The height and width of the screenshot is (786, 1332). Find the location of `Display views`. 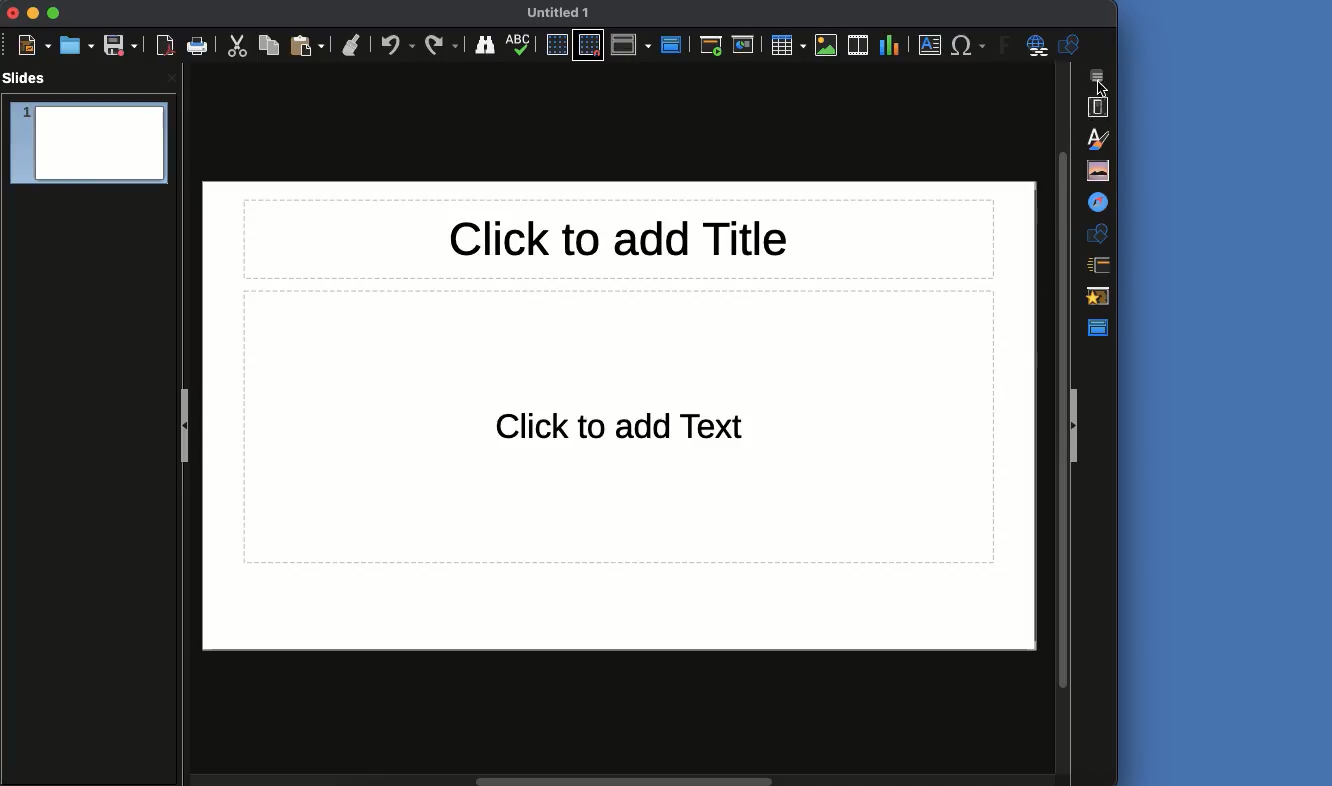

Display views is located at coordinates (633, 46).